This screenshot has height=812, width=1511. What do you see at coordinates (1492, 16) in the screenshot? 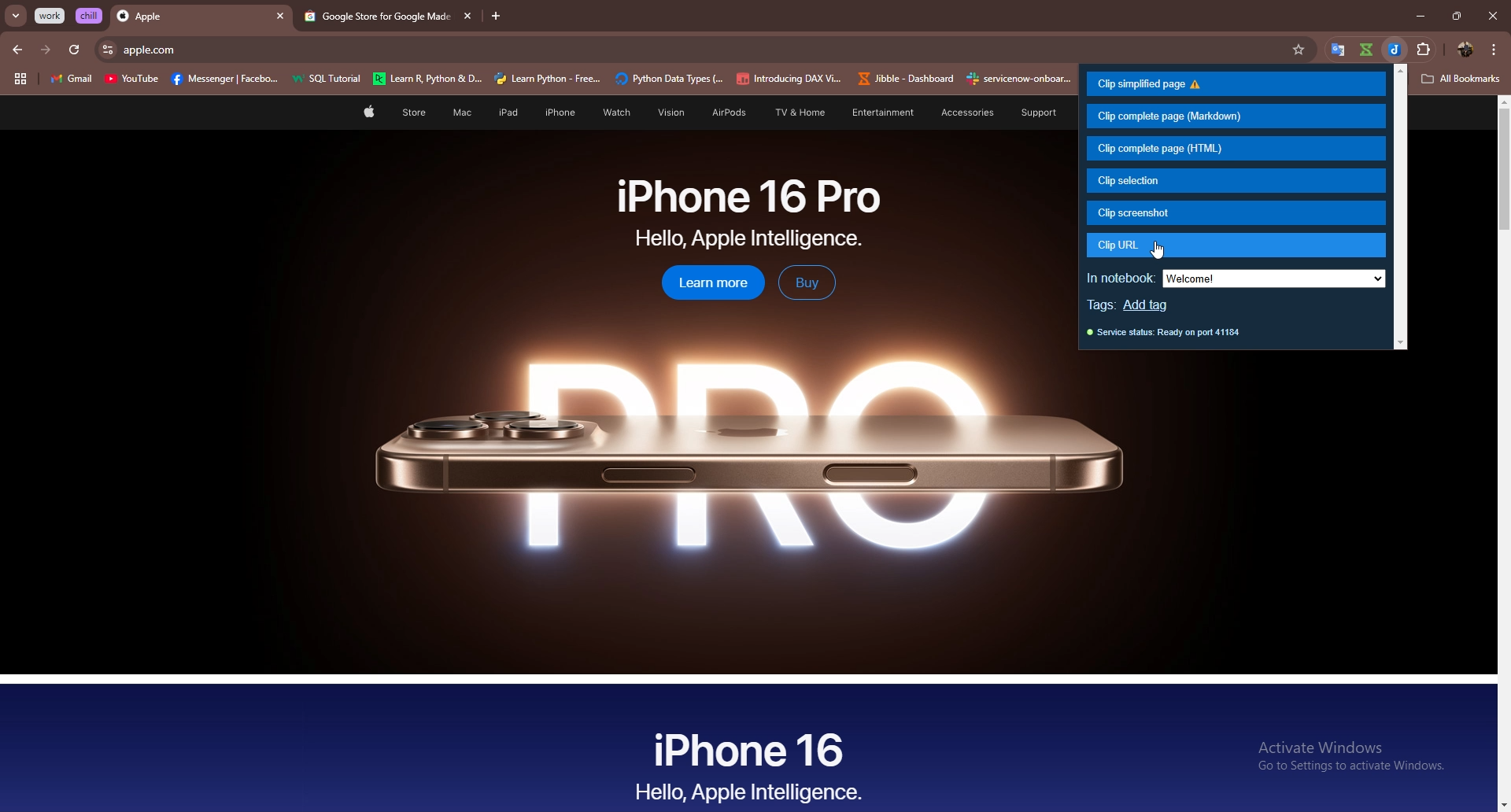
I see `close` at bounding box center [1492, 16].